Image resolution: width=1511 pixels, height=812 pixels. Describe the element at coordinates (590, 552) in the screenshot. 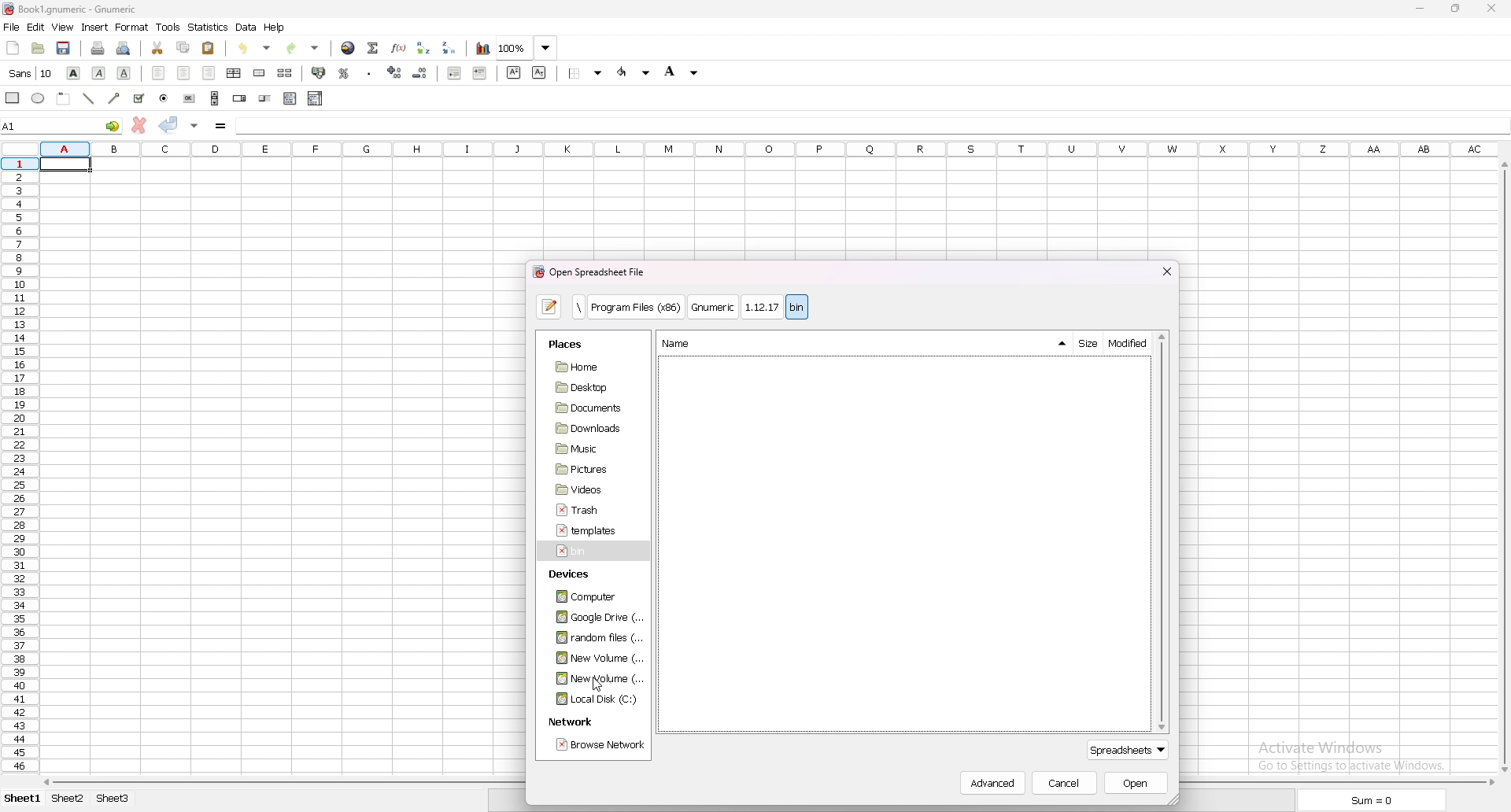

I see `bn` at that location.